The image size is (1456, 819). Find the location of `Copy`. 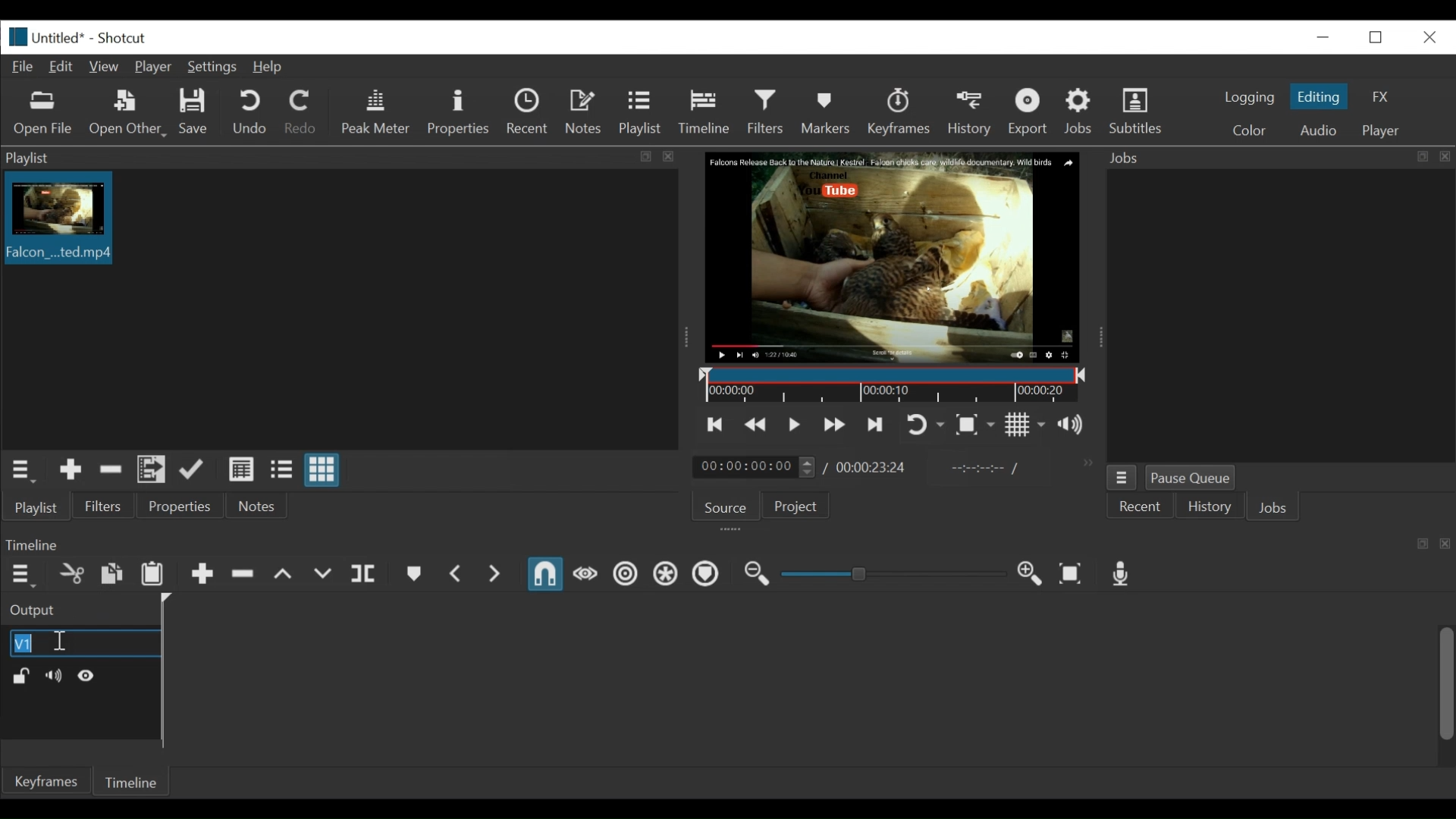

Copy is located at coordinates (112, 576).